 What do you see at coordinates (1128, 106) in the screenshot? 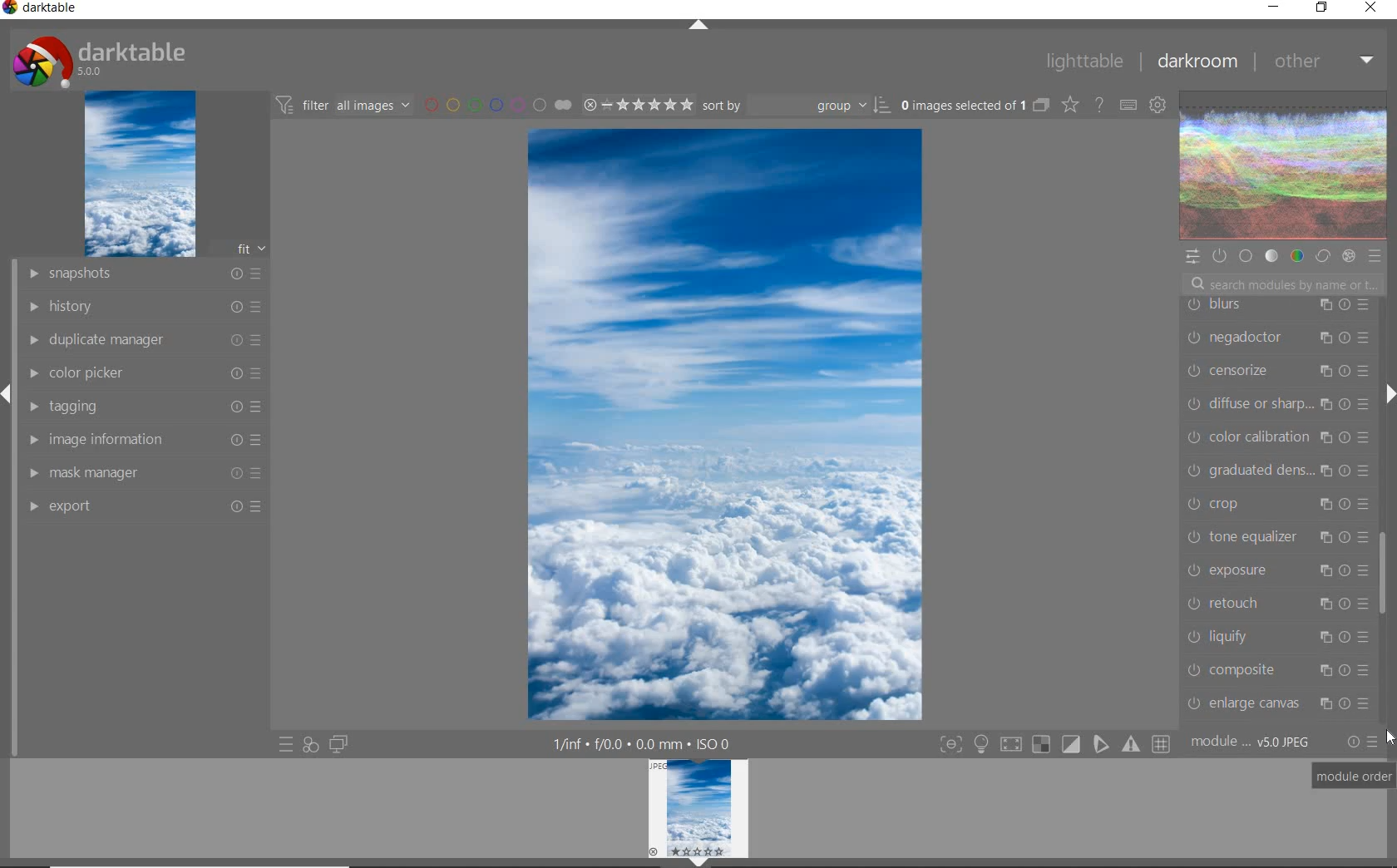
I see `DEFINE KEYBOARD SHORTCUT` at bounding box center [1128, 106].